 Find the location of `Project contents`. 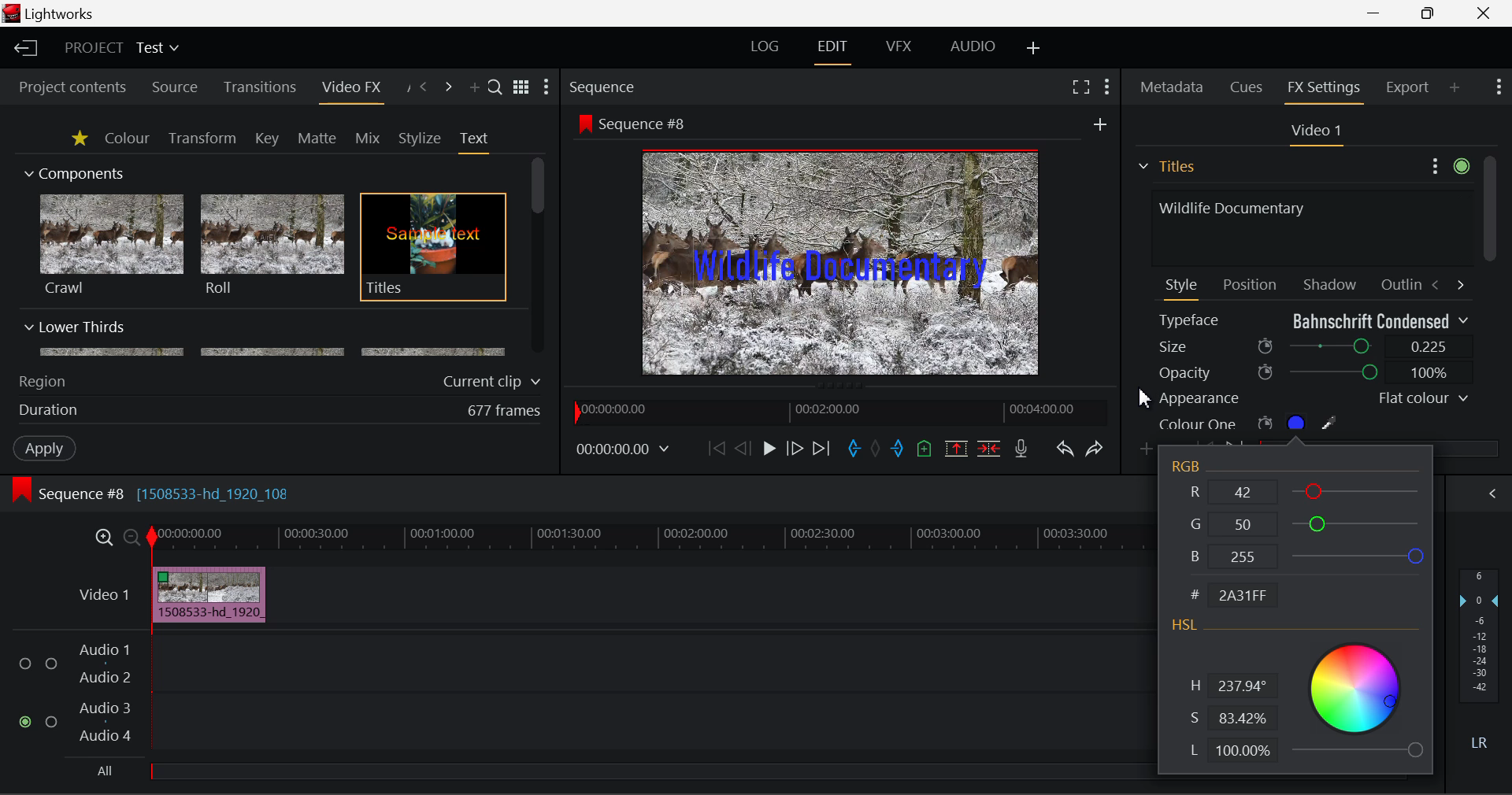

Project contents is located at coordinates (65, 87).